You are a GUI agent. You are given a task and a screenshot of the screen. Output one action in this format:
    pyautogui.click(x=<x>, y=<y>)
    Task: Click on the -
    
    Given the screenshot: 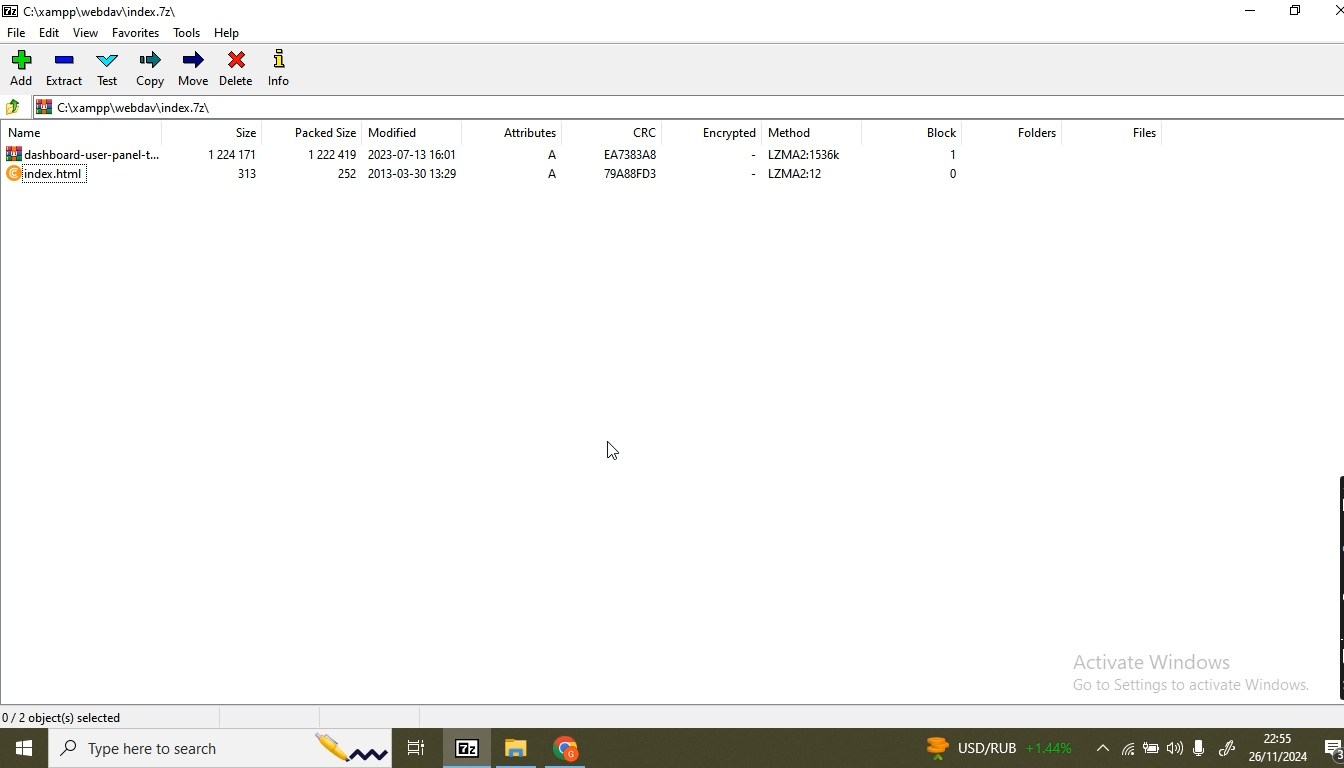 What is the action you would take?
    pyautogui.click(x=741, y=154)
    